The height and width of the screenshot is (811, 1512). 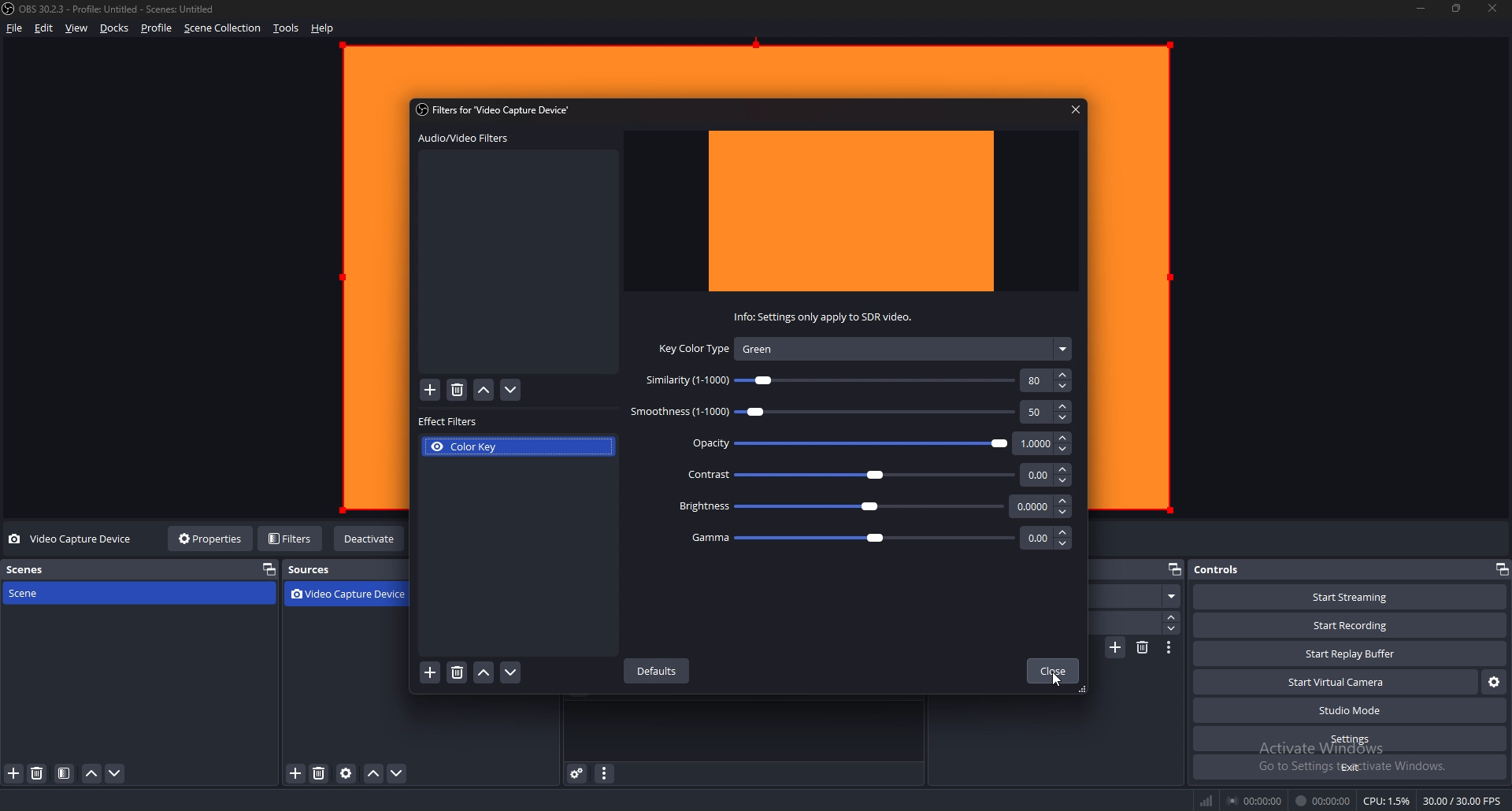 I want to click on move source down, so click(x=398, y=775).